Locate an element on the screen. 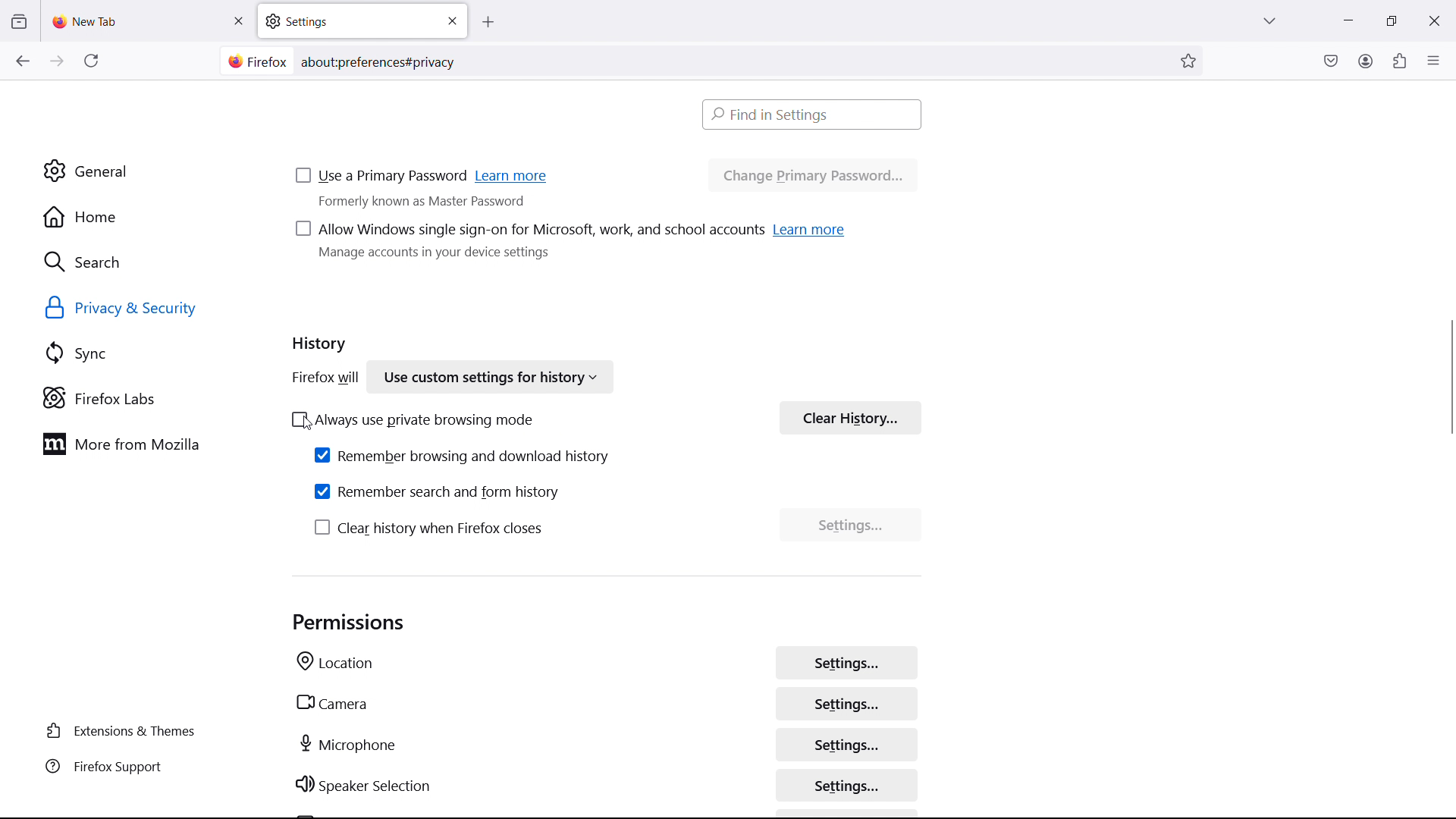 The width and height of the screenshot is (1456, 819). permissions is located at coordinates (350, 623).